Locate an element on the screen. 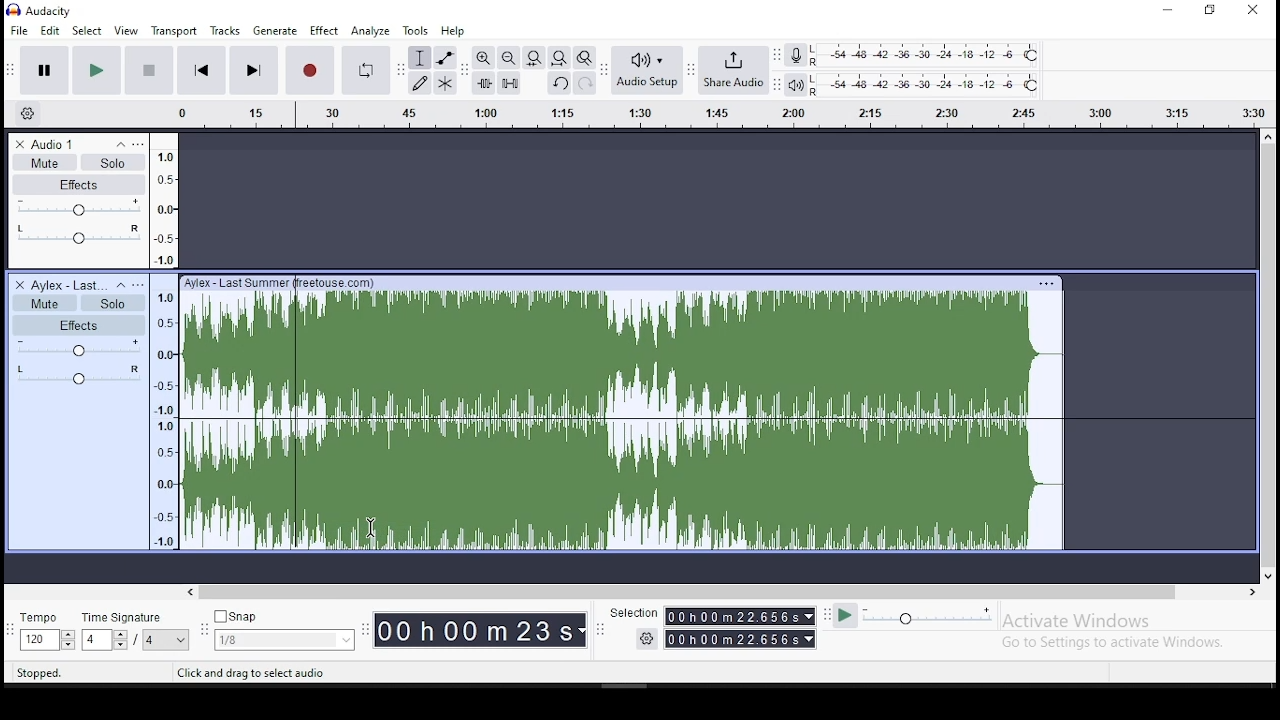 This screenshot has width=1280, height=720. file is located at coordinates (21, 29).